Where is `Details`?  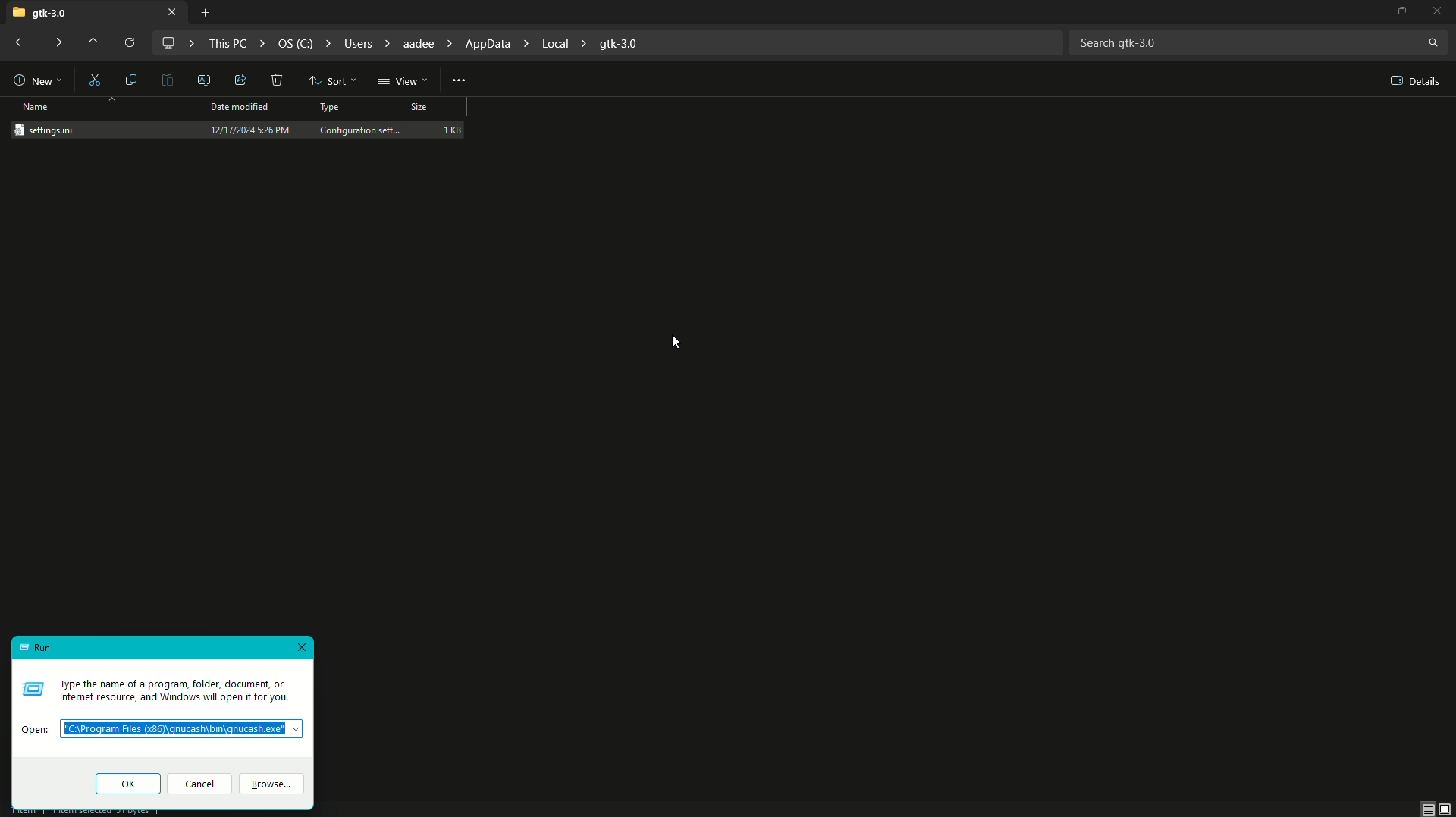
Details is located at coordinates (1412, 81).